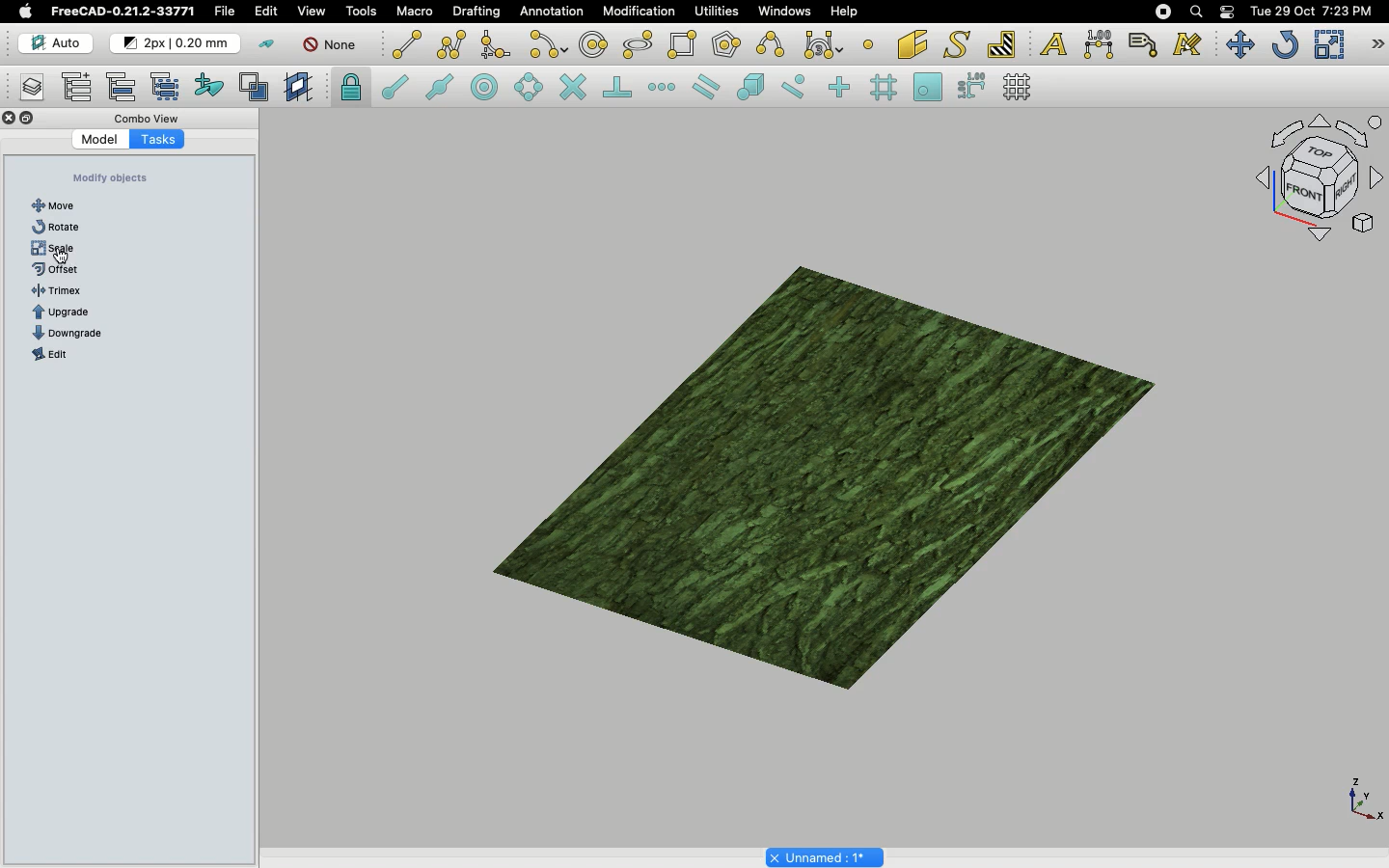  What do you see at coordinates (1097, 43) in the screenshot?
I see `Dimension` at bounding box center [1097, 43].